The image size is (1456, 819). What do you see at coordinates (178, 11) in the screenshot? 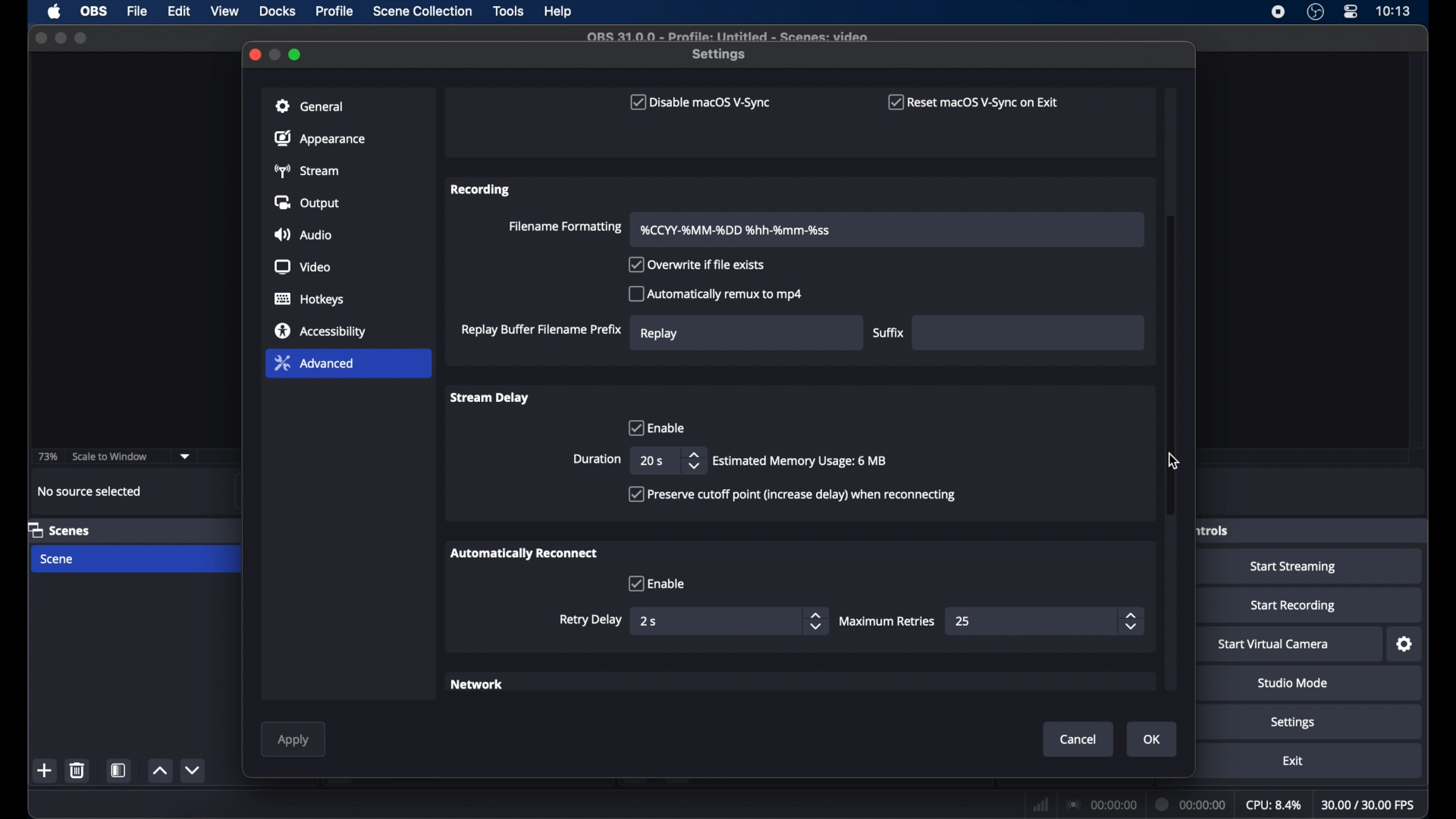
I see `edit` at bounding box center [178, 11].